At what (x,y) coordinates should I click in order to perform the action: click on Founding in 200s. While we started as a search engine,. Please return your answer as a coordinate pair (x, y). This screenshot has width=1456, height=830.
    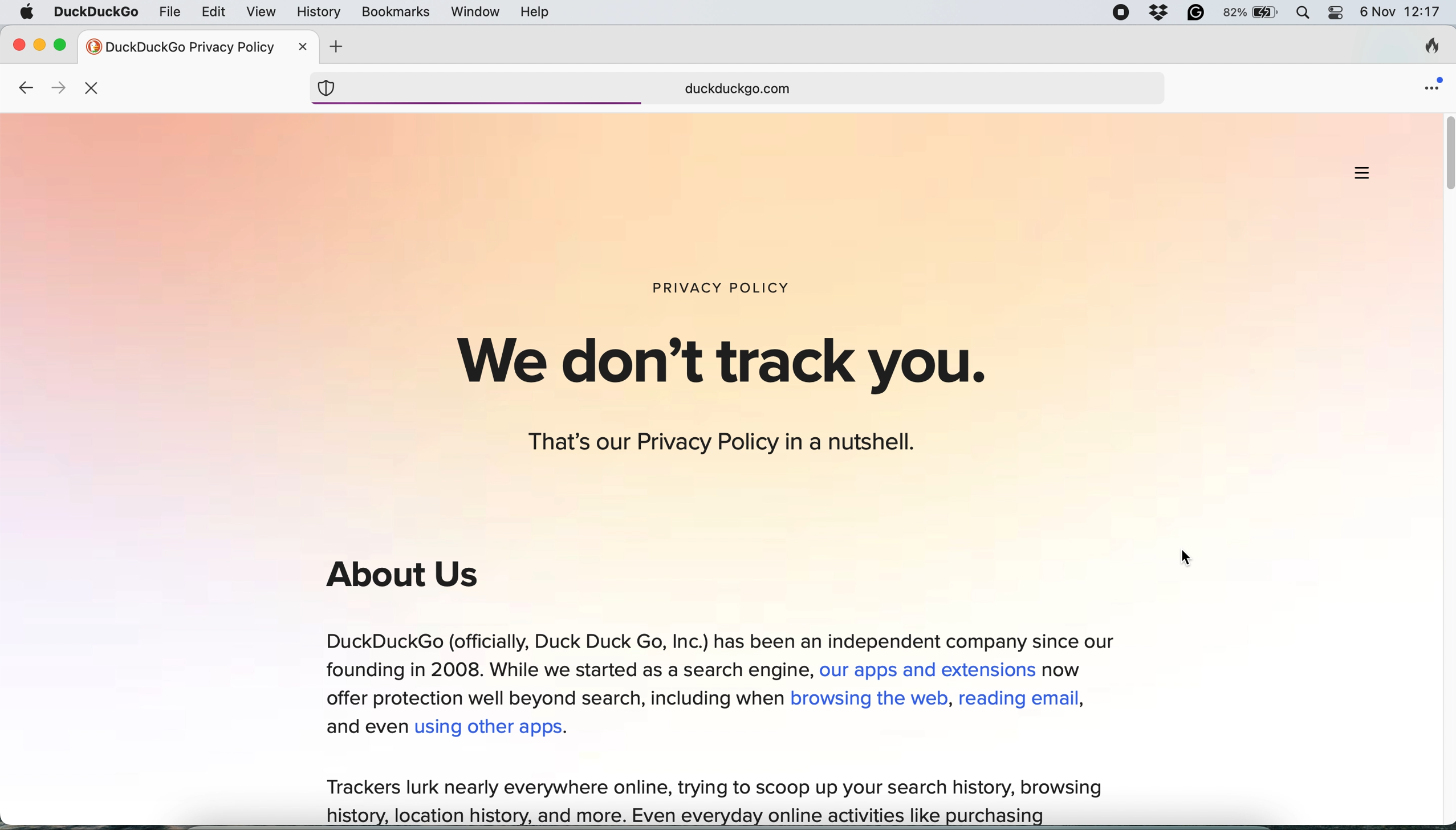
    Looking at the image, I should click on (566, 670).